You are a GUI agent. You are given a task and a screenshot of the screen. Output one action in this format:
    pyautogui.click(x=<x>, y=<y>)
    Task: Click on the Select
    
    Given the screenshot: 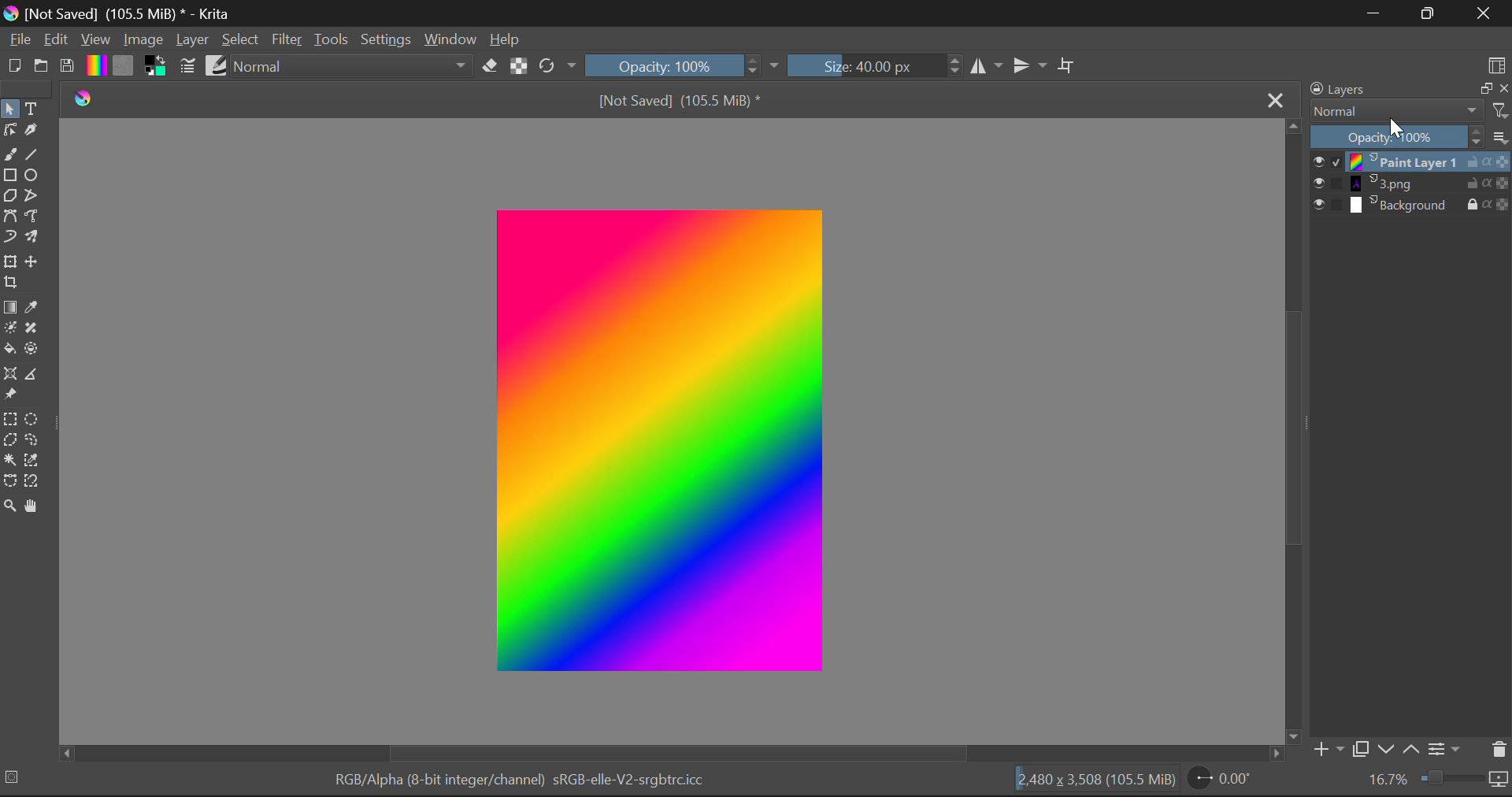 What is the action you would take?
    pyautogui.click(x=243, y=42)
    